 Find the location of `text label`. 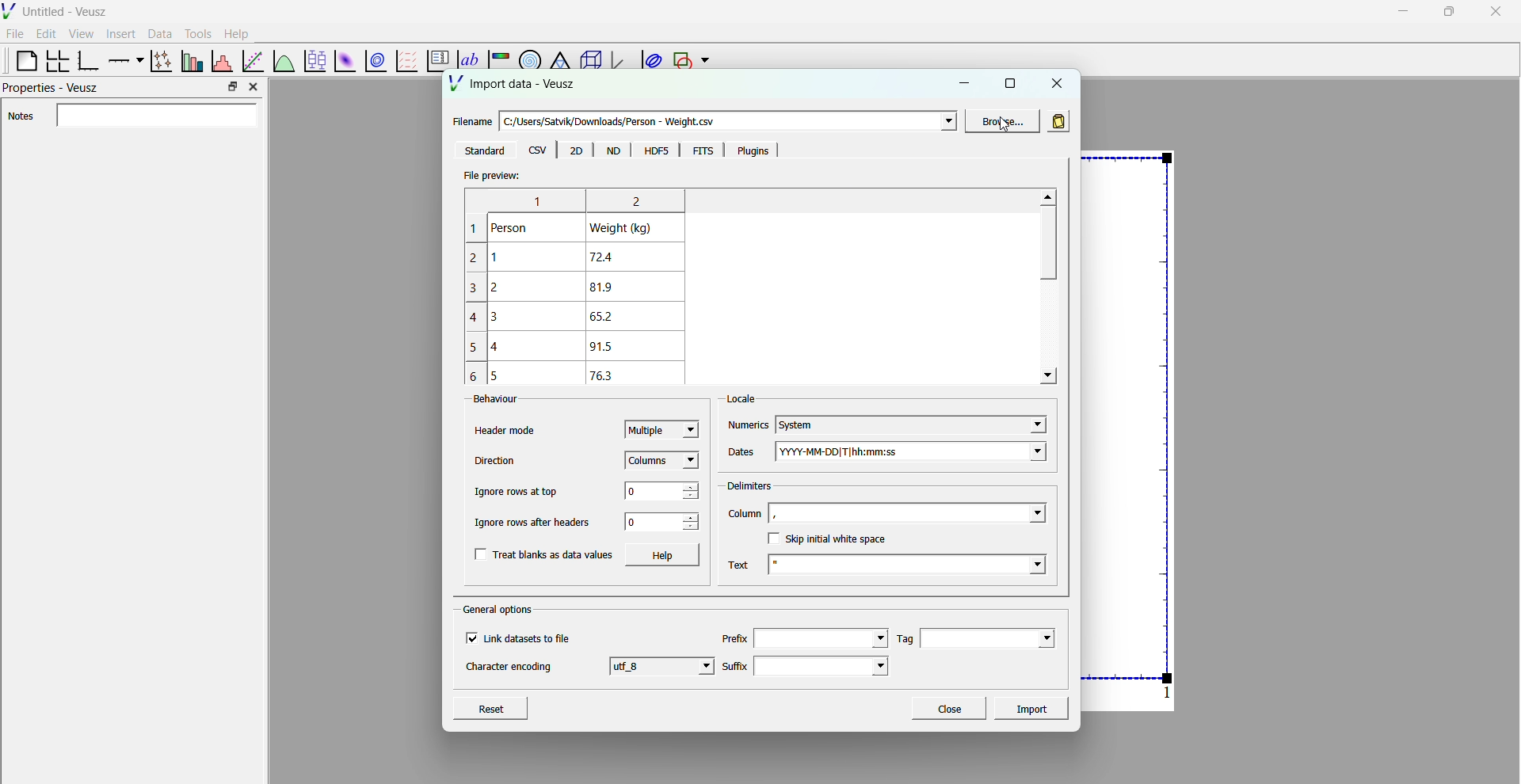

text label is located at coordinates (466, 51).